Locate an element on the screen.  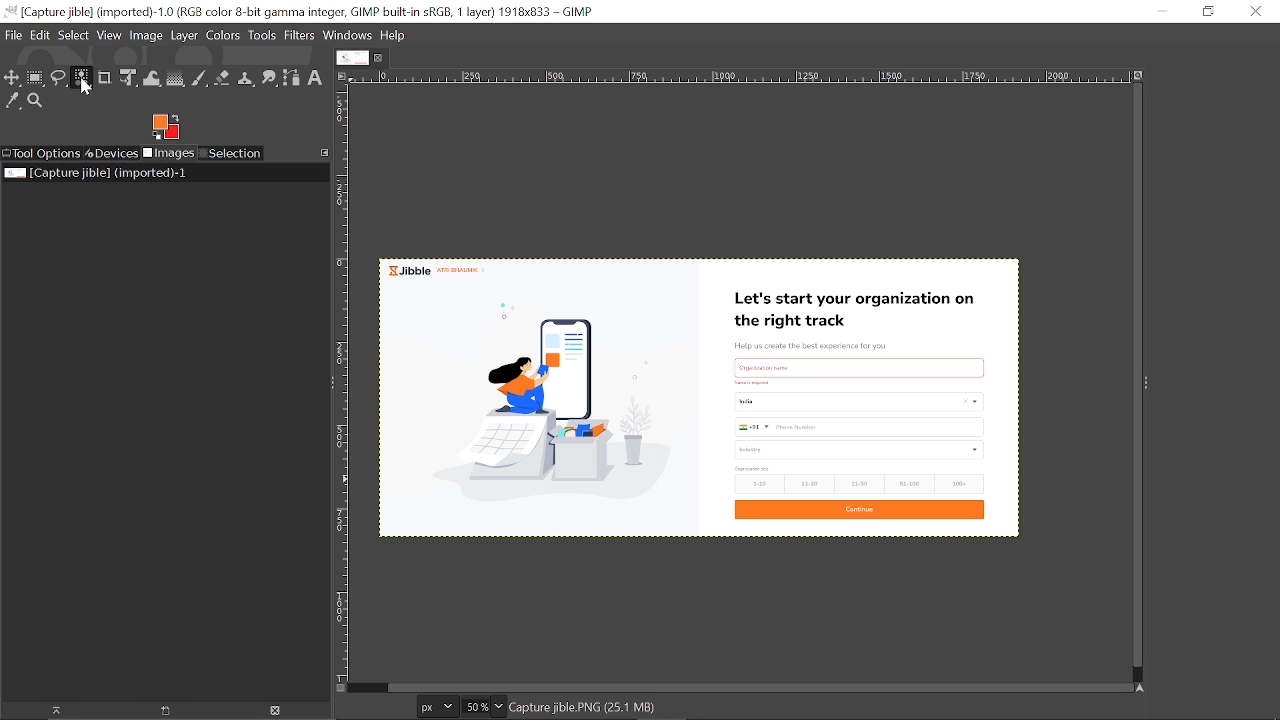
Restore down is located at coordinates (1208, 12).